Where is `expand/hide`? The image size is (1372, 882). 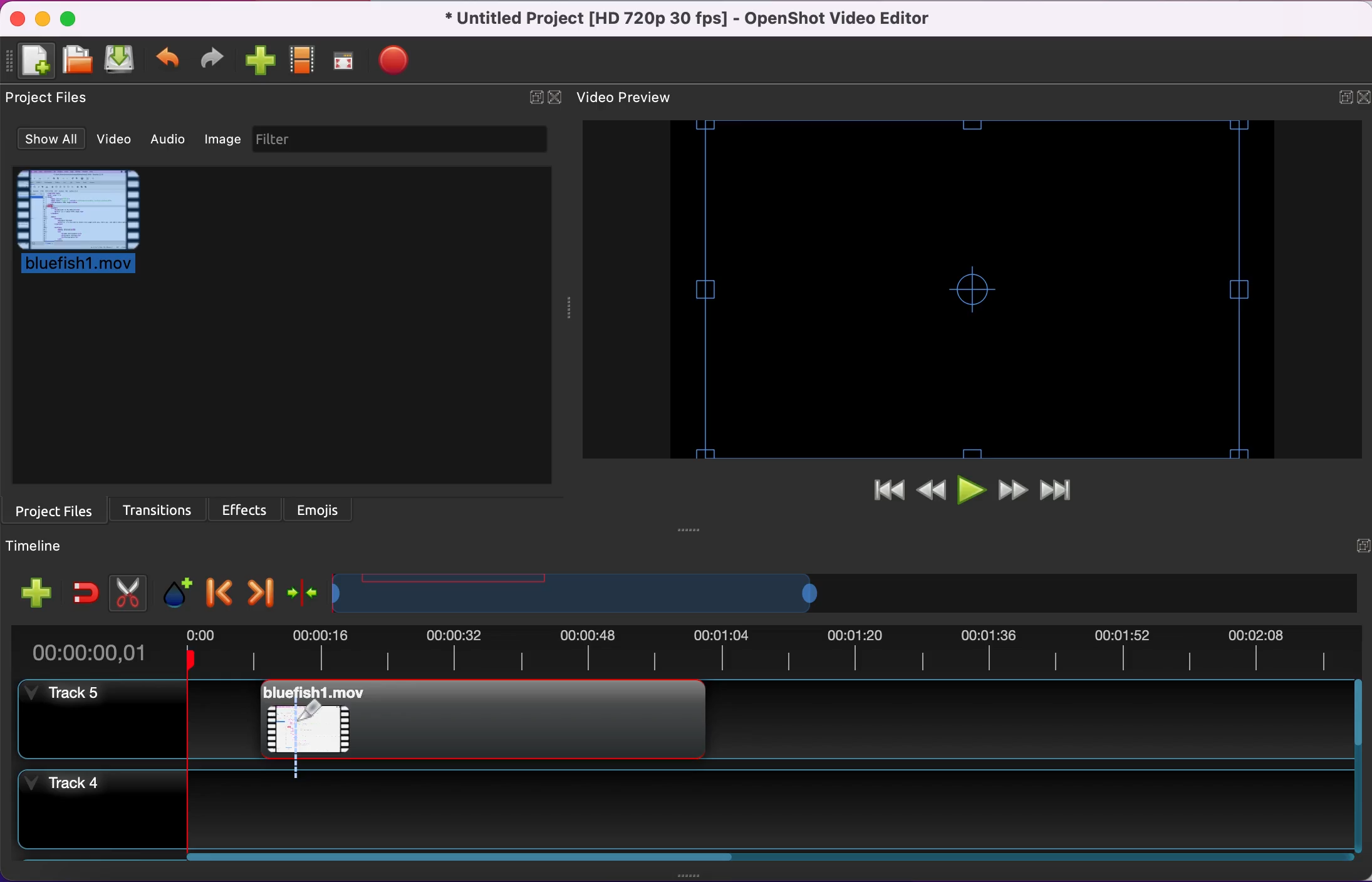
expand/hide is located at coordinates (1338, 97).